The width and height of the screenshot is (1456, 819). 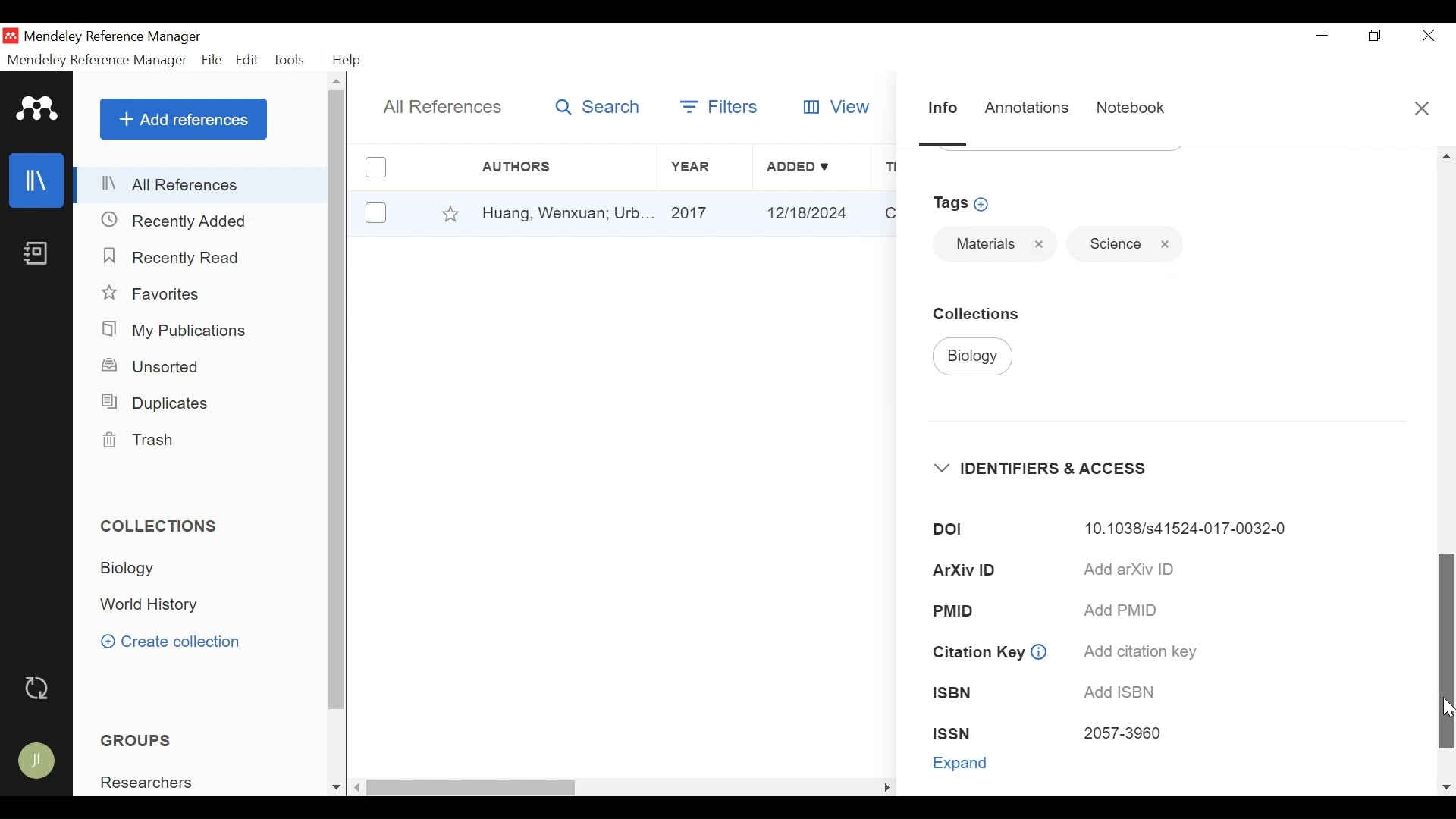 I want to click on info icon, so click(x=1039, y=653).